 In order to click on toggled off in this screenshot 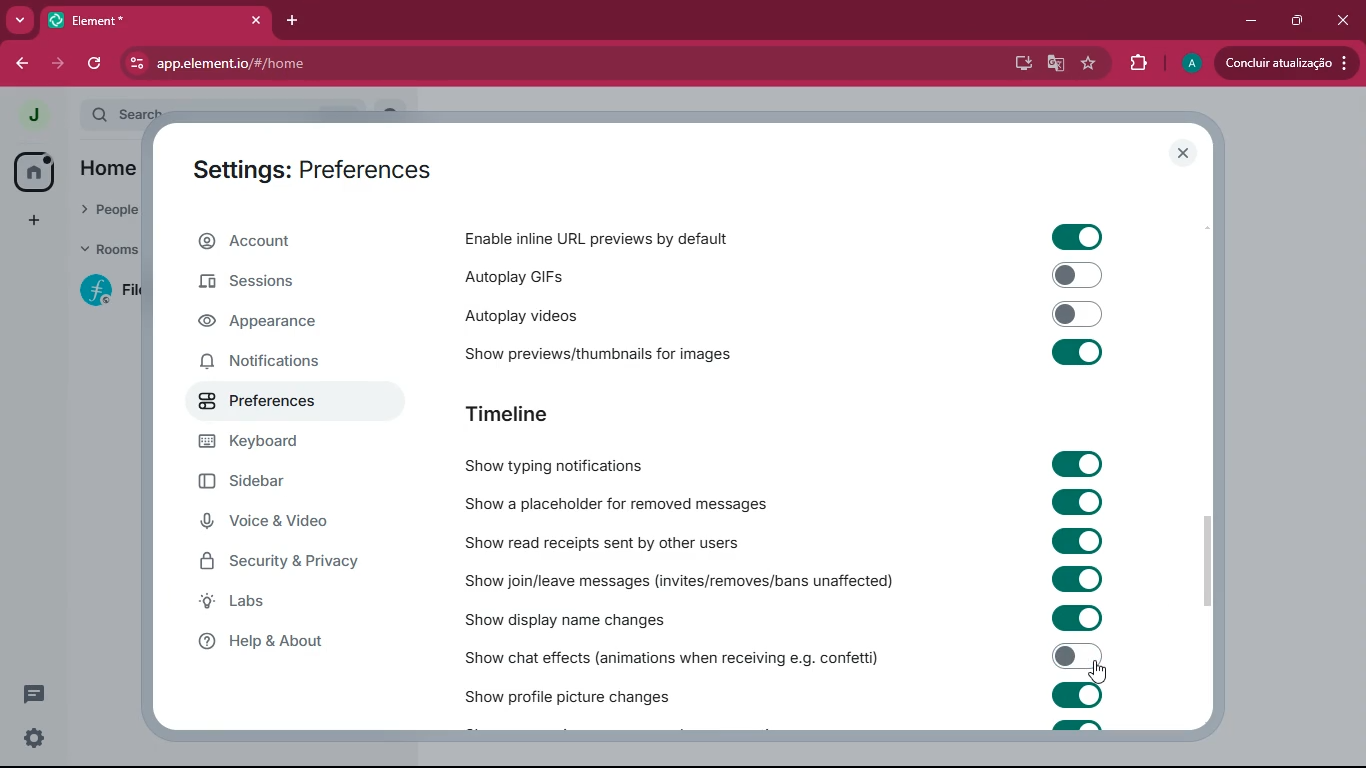, I will do `click(1077, 656)`.